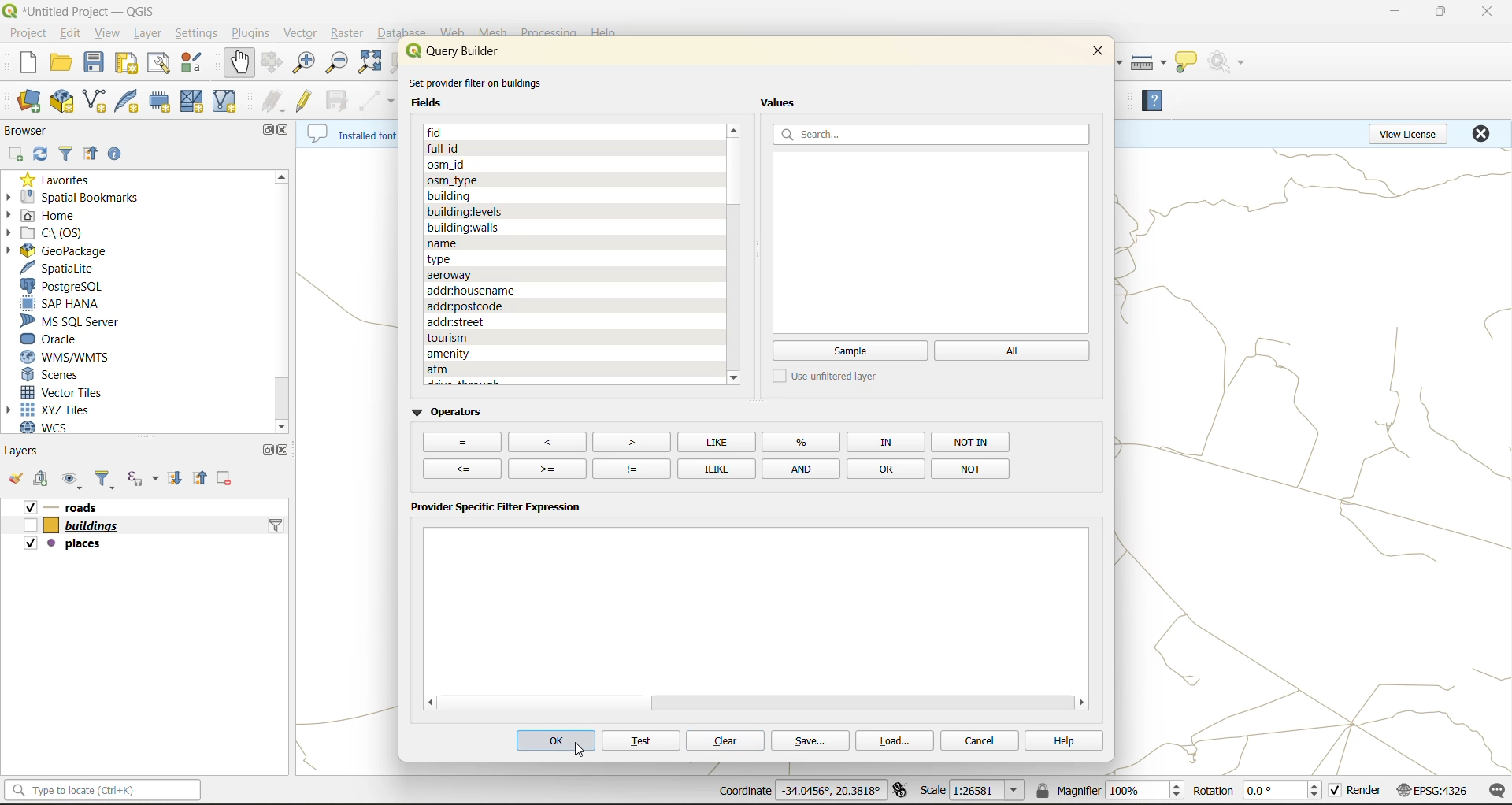 The width and height of the screenshot is (1512, 805). What do you see at coordinates (461, 443) in the screenshot?
I see `` at bounding box center [461, 443].